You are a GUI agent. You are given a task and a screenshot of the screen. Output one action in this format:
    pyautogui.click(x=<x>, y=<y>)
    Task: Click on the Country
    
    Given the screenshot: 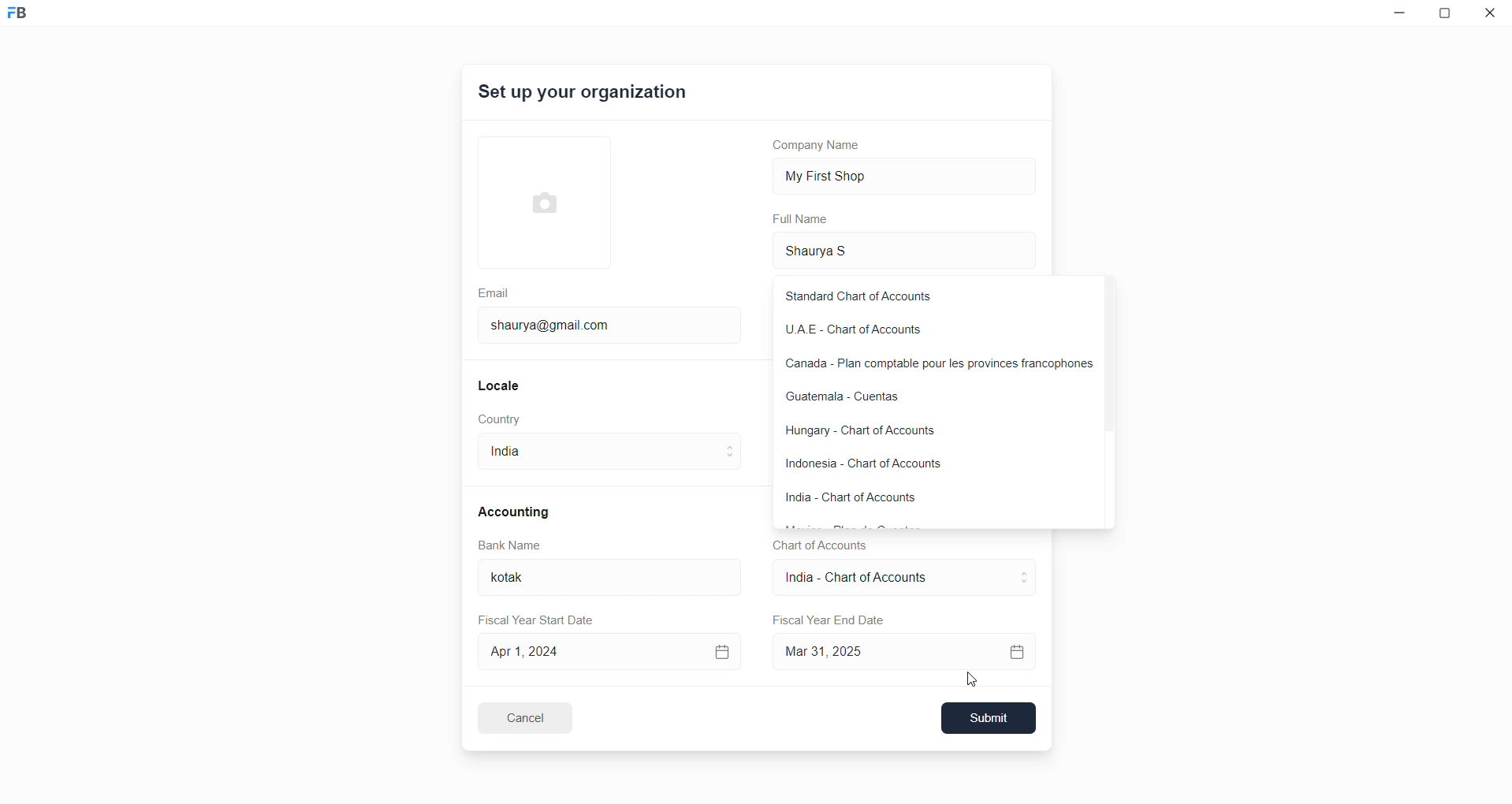 What is the action you would take?
    pyautogui.click(x=503, y=419)
    